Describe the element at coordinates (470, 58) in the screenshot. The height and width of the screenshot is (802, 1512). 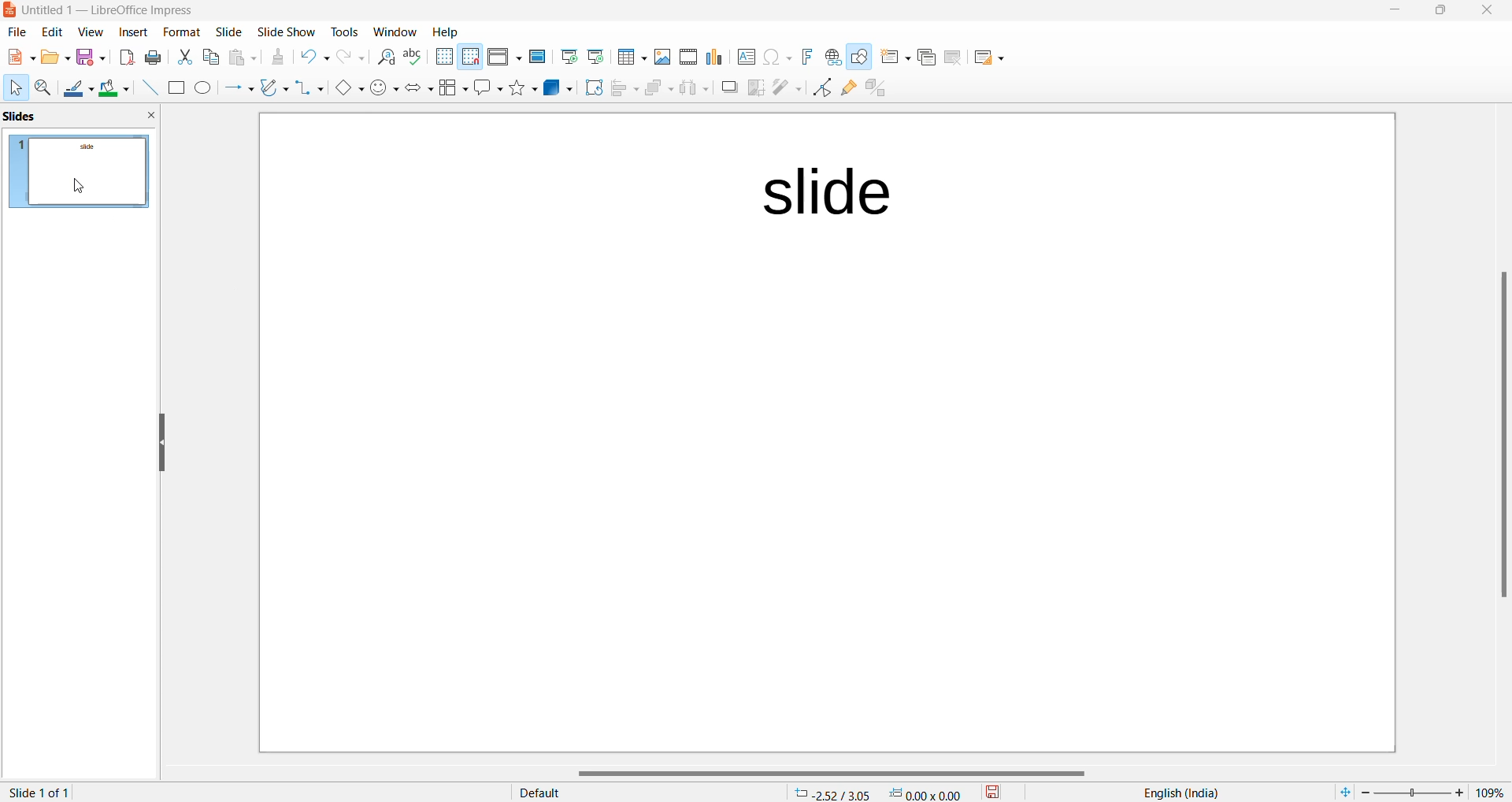
I see `snap to grid` at that location.